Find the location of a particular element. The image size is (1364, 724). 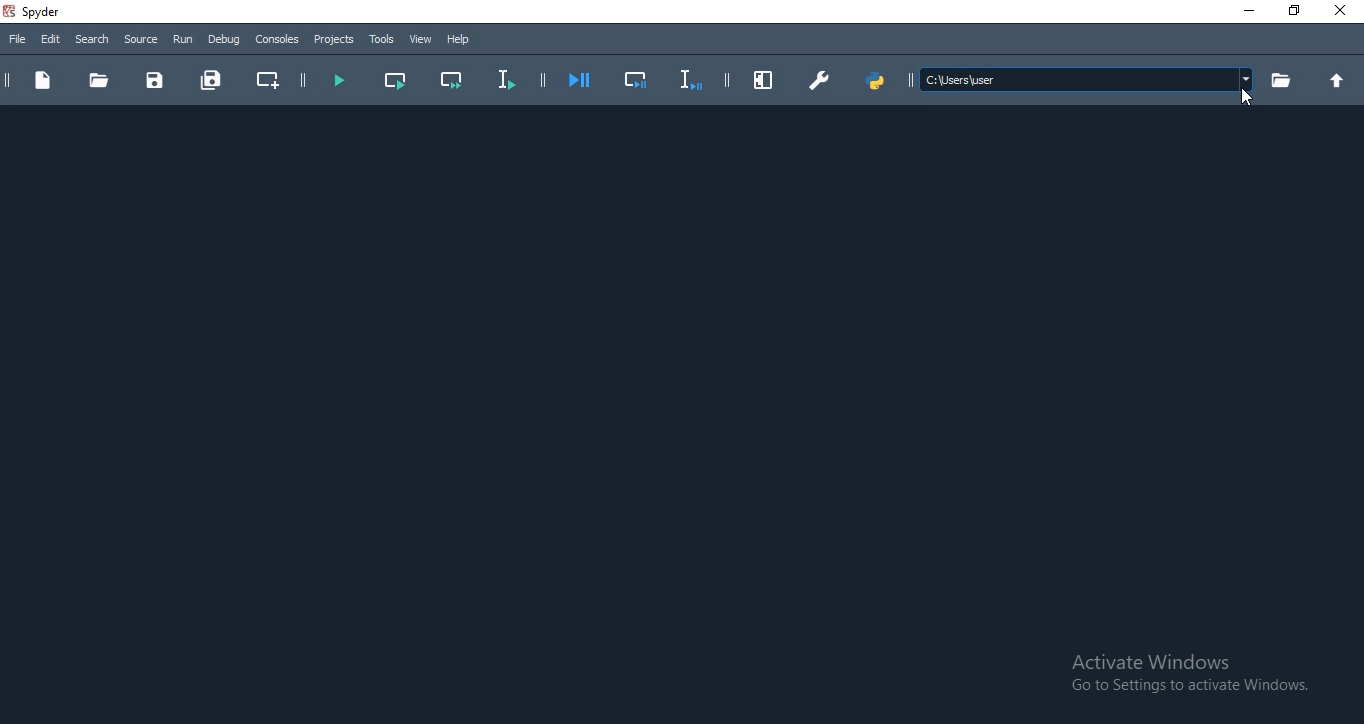

Edit is located at coordinates (51, 40).